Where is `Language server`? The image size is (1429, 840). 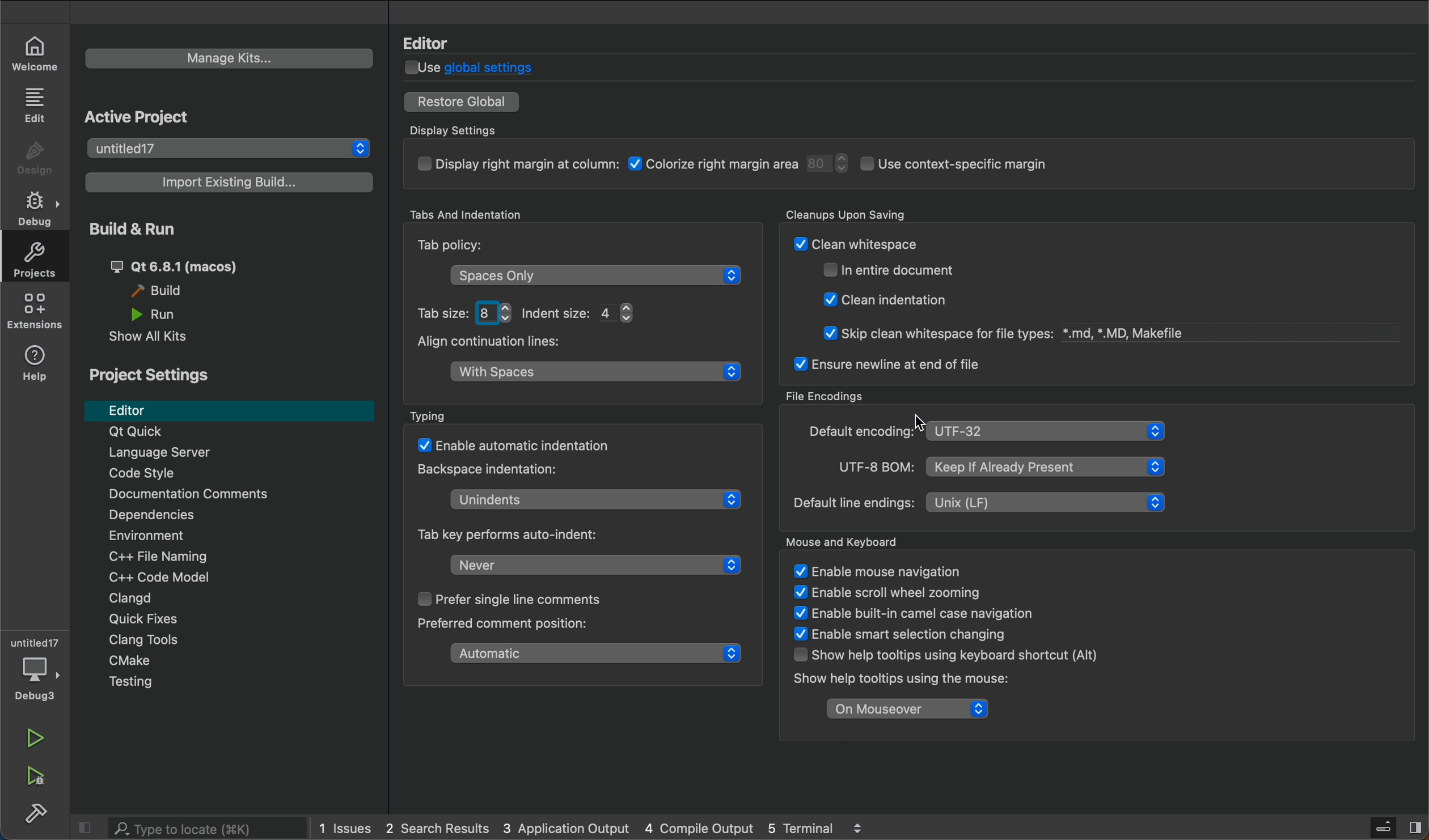 Language server is located at coordinates (230, 453).